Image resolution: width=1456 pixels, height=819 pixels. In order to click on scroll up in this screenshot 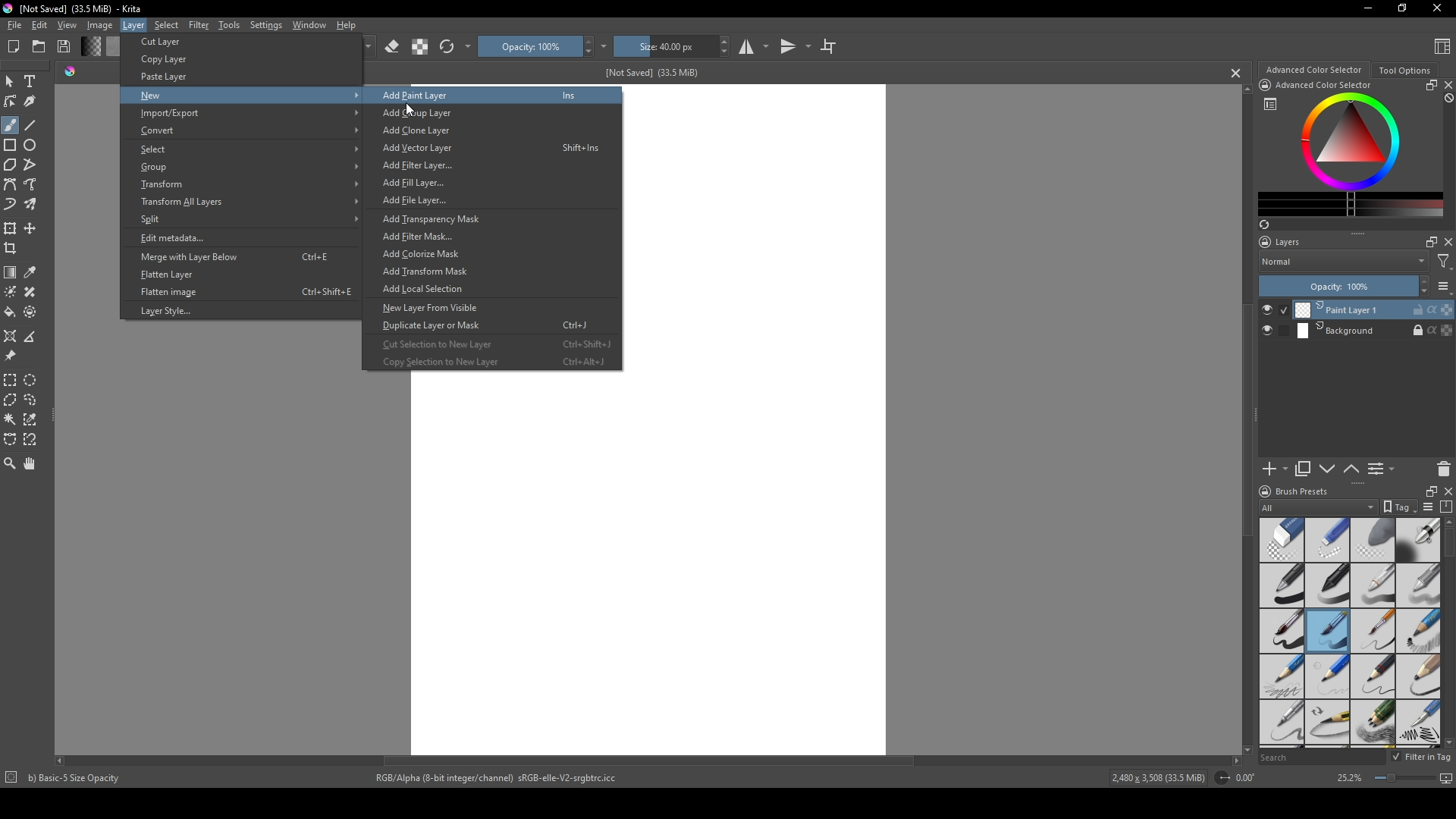, I will do `click(1244, 89)`.